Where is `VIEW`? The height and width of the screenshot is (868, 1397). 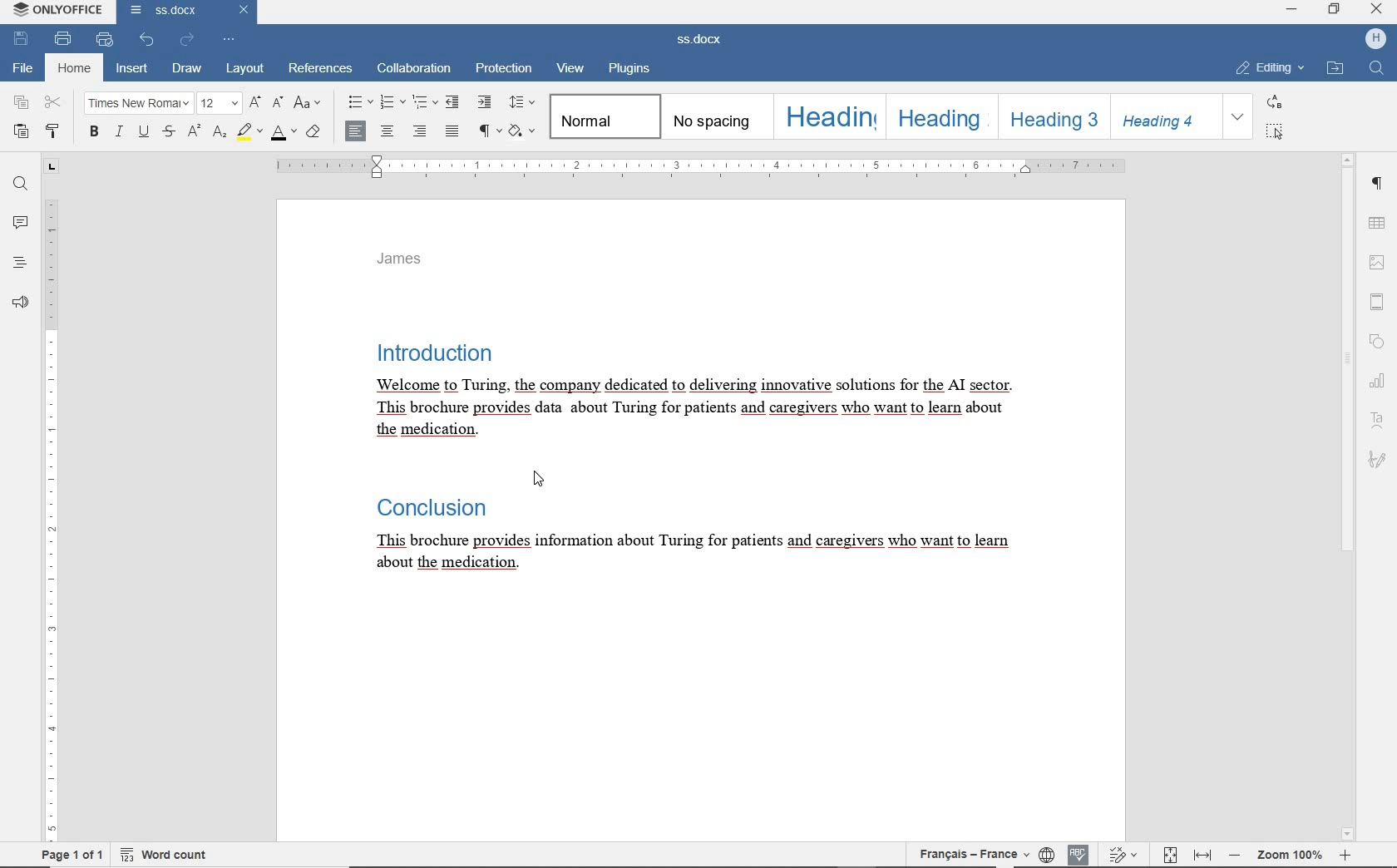
VIEW is located at coordinates (572, 67).